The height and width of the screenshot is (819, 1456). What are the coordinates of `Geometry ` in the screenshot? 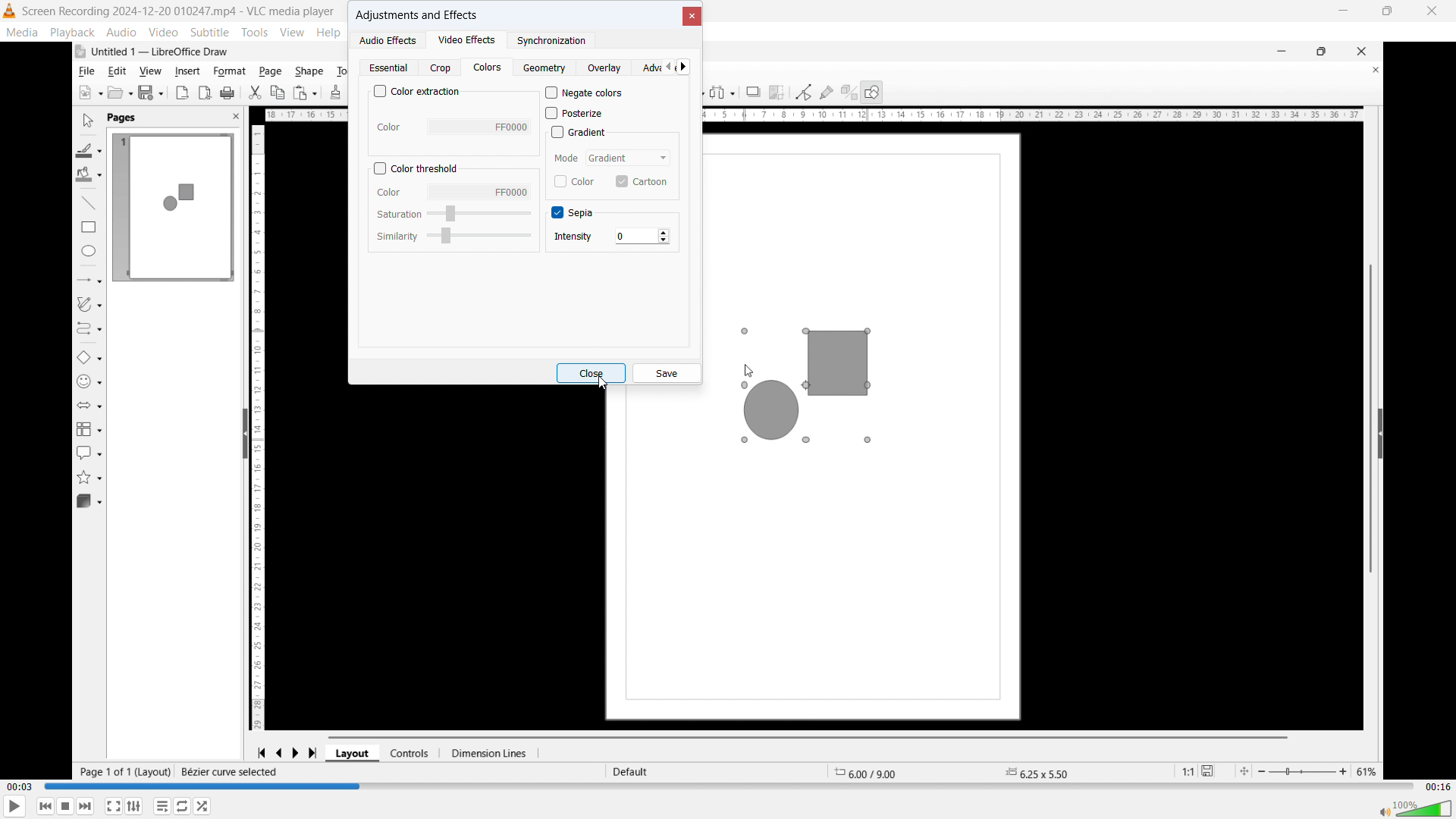 It's located at (545, 67).